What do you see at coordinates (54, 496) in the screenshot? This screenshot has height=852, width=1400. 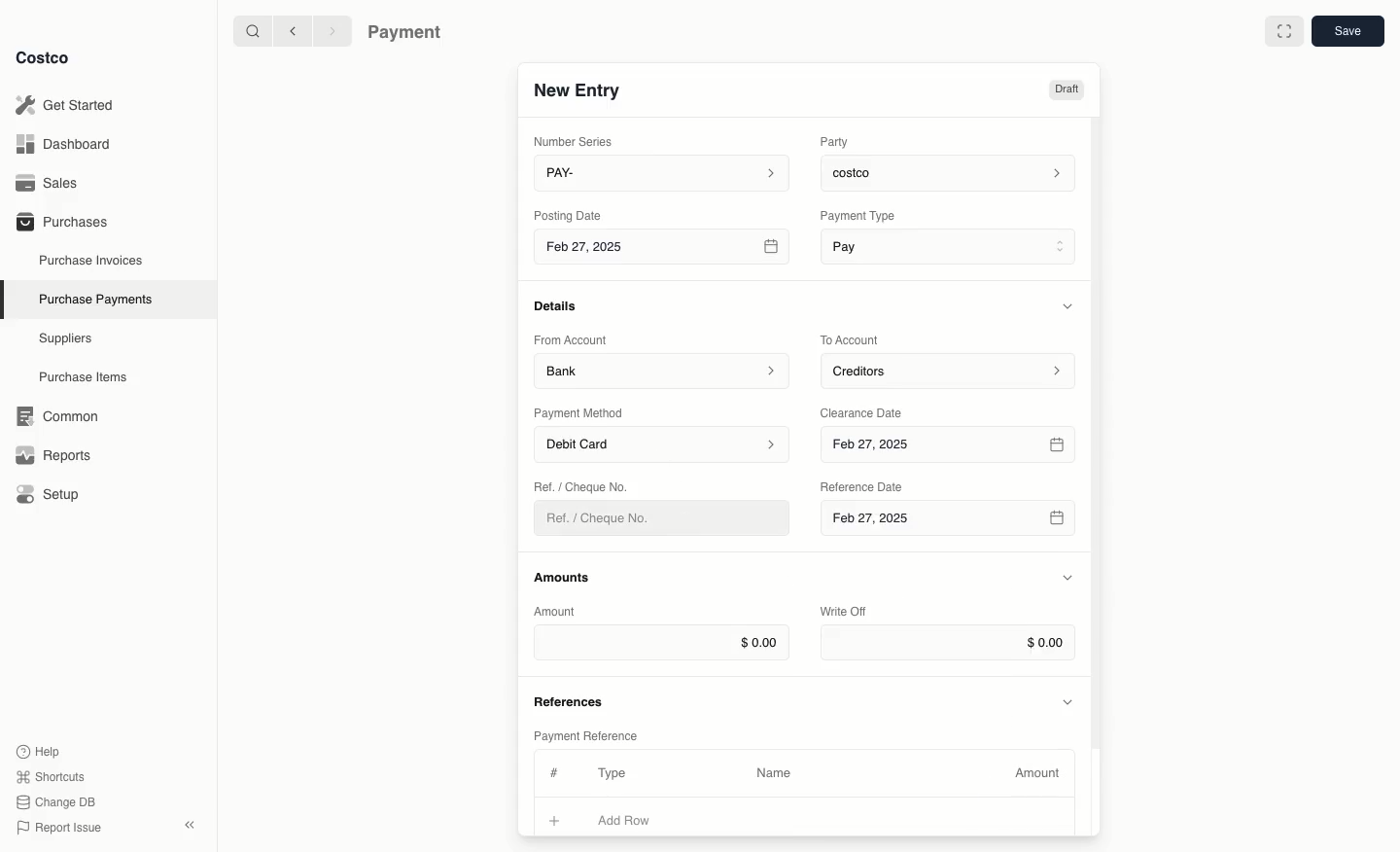 I see `Setup` at bounding box center [54, 496].